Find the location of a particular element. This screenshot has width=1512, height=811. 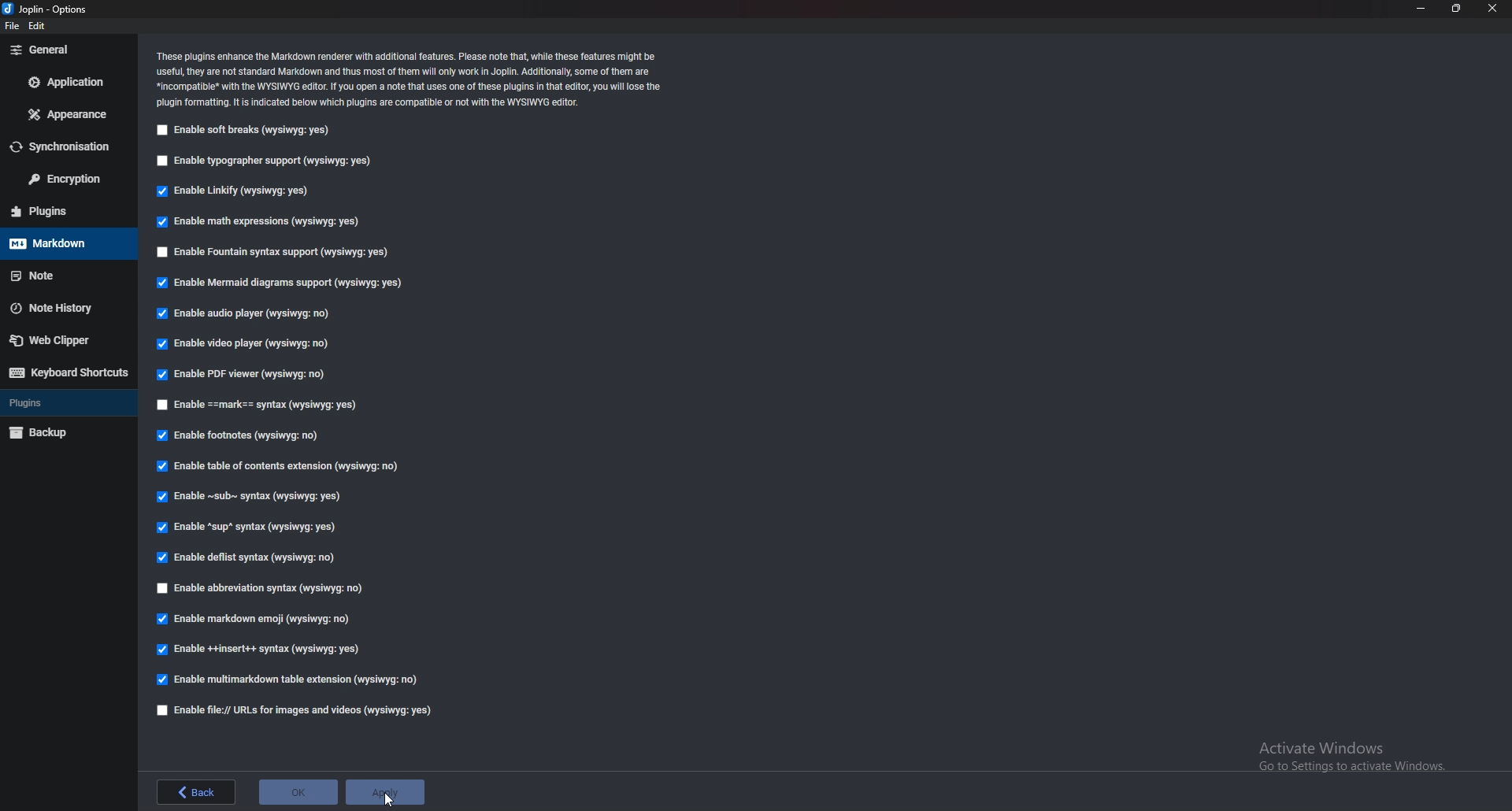

Encryption is located at coordinates (65, 178).